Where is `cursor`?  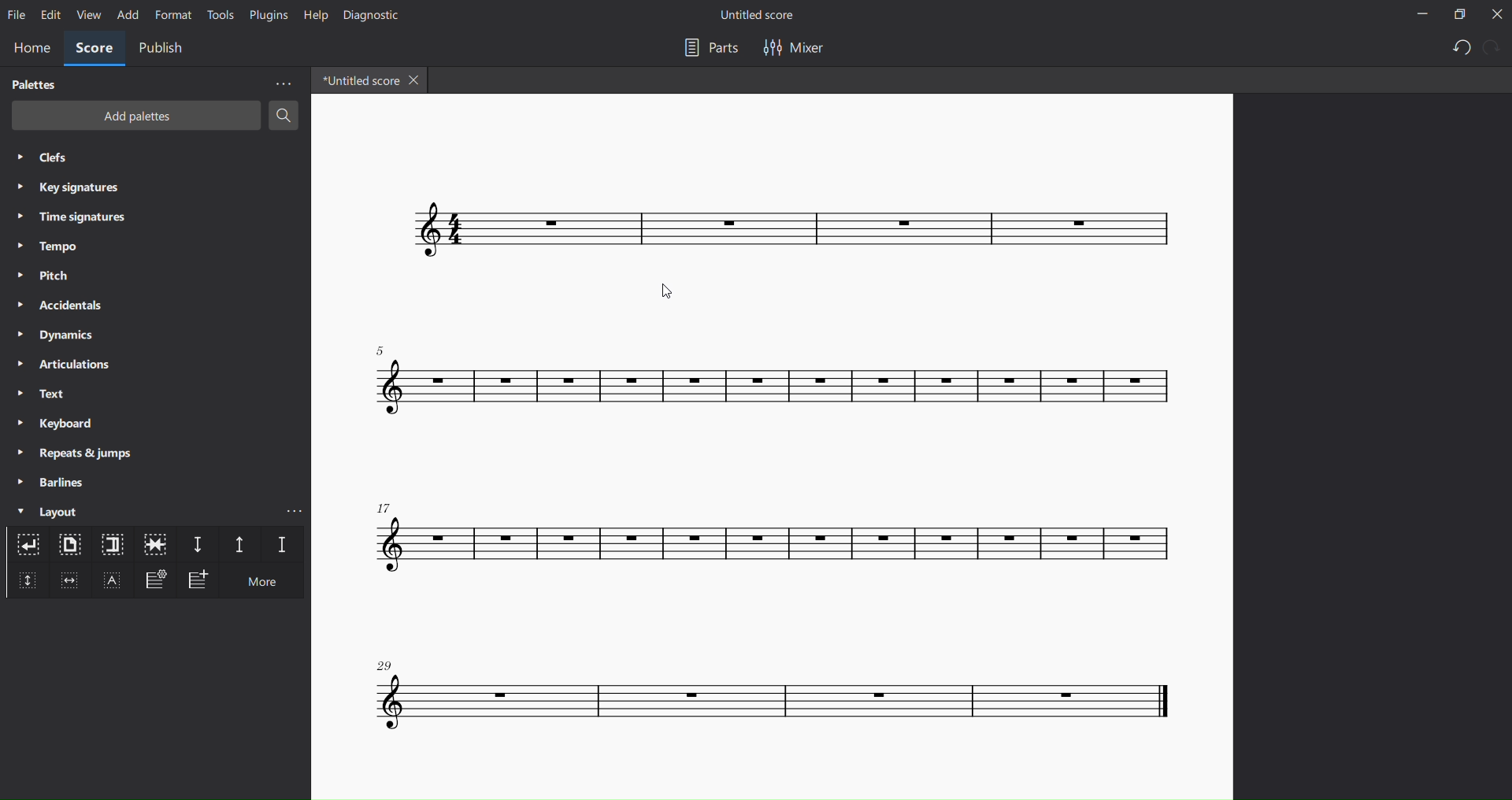
cursor is located at coordinates (680, 294).